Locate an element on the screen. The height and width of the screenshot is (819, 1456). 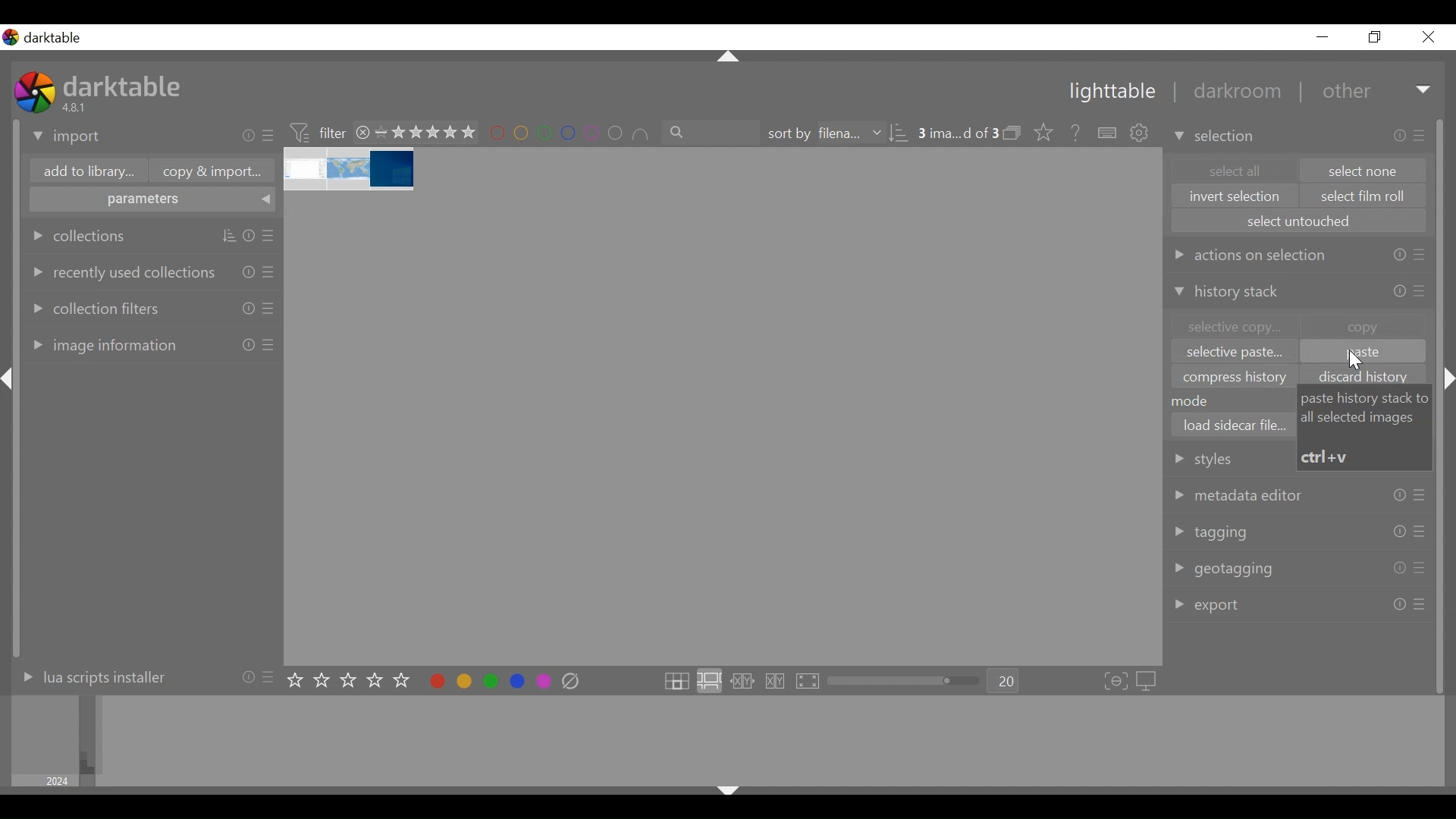
presets is located at coordinates (270, 271).